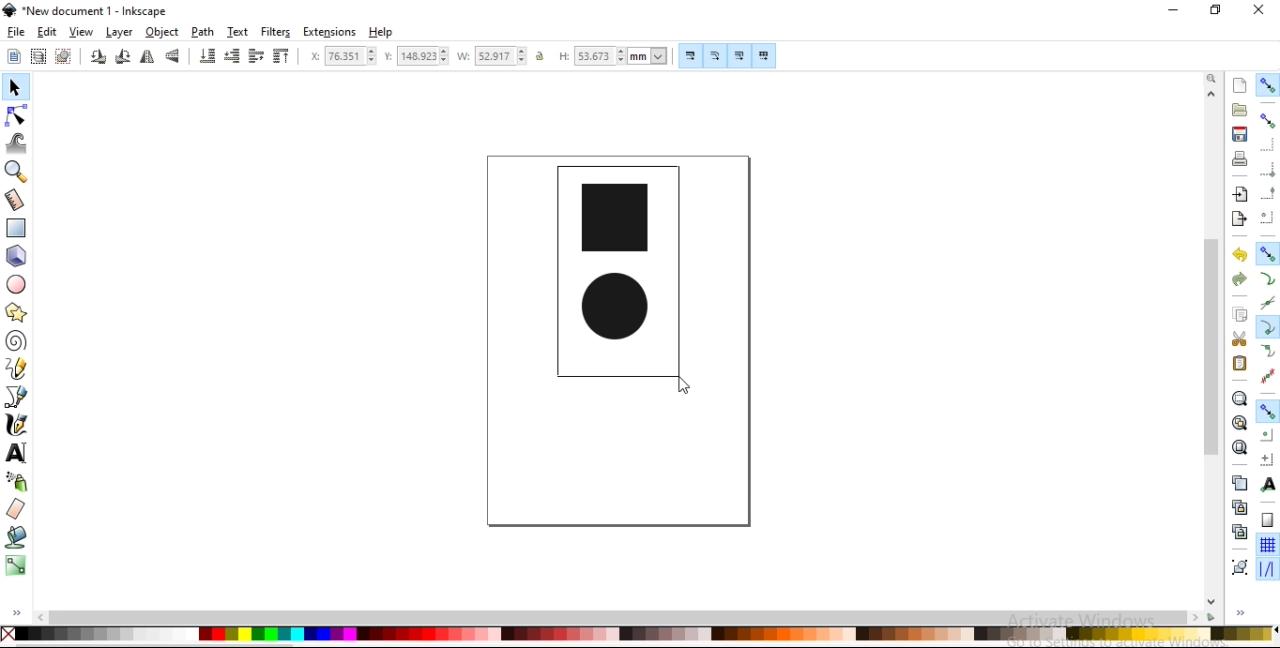  I want to click on zoom to fit page, so click(1240, 447).